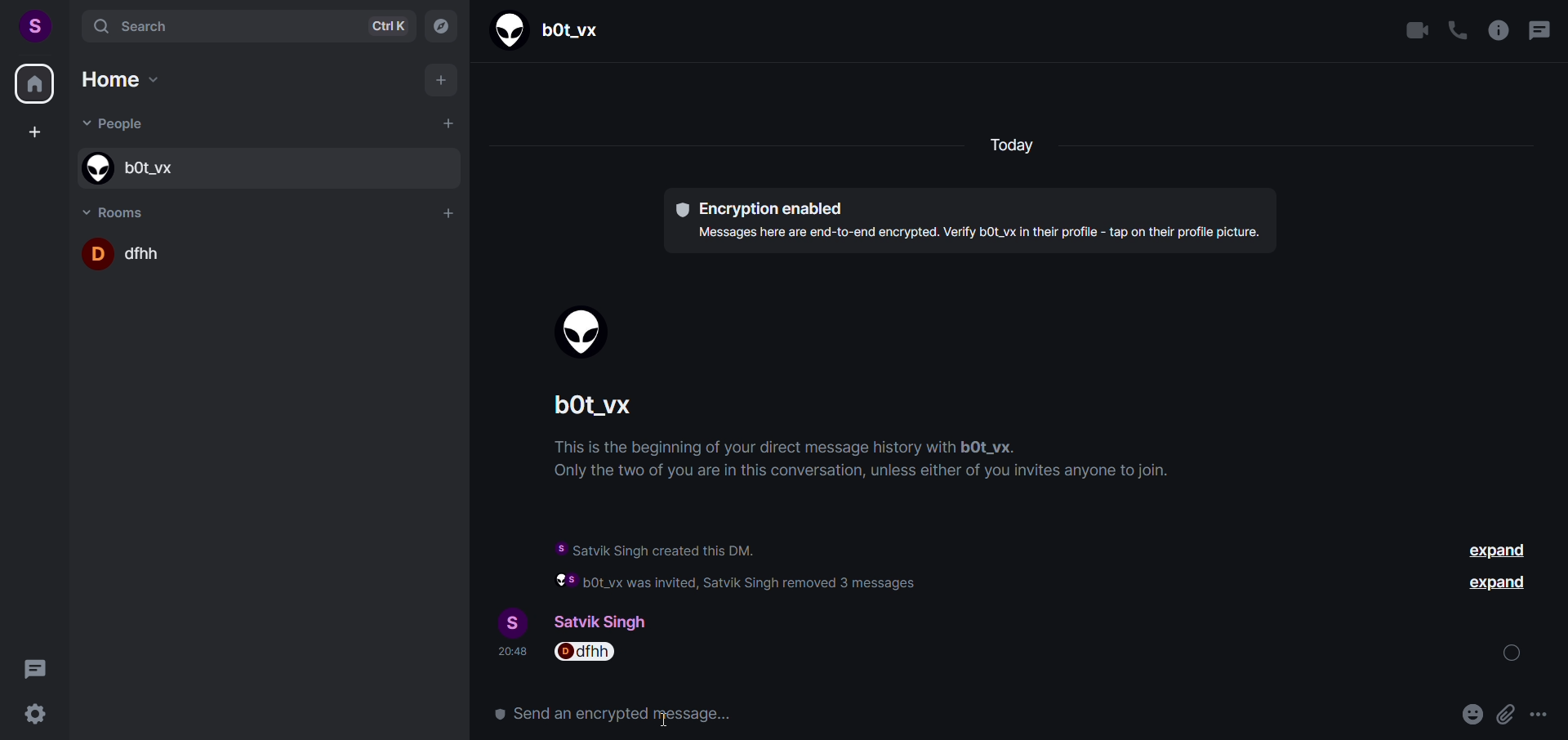 The width and height of the screenshot is (1568, 740). I want to click on username, so click(614, 620).